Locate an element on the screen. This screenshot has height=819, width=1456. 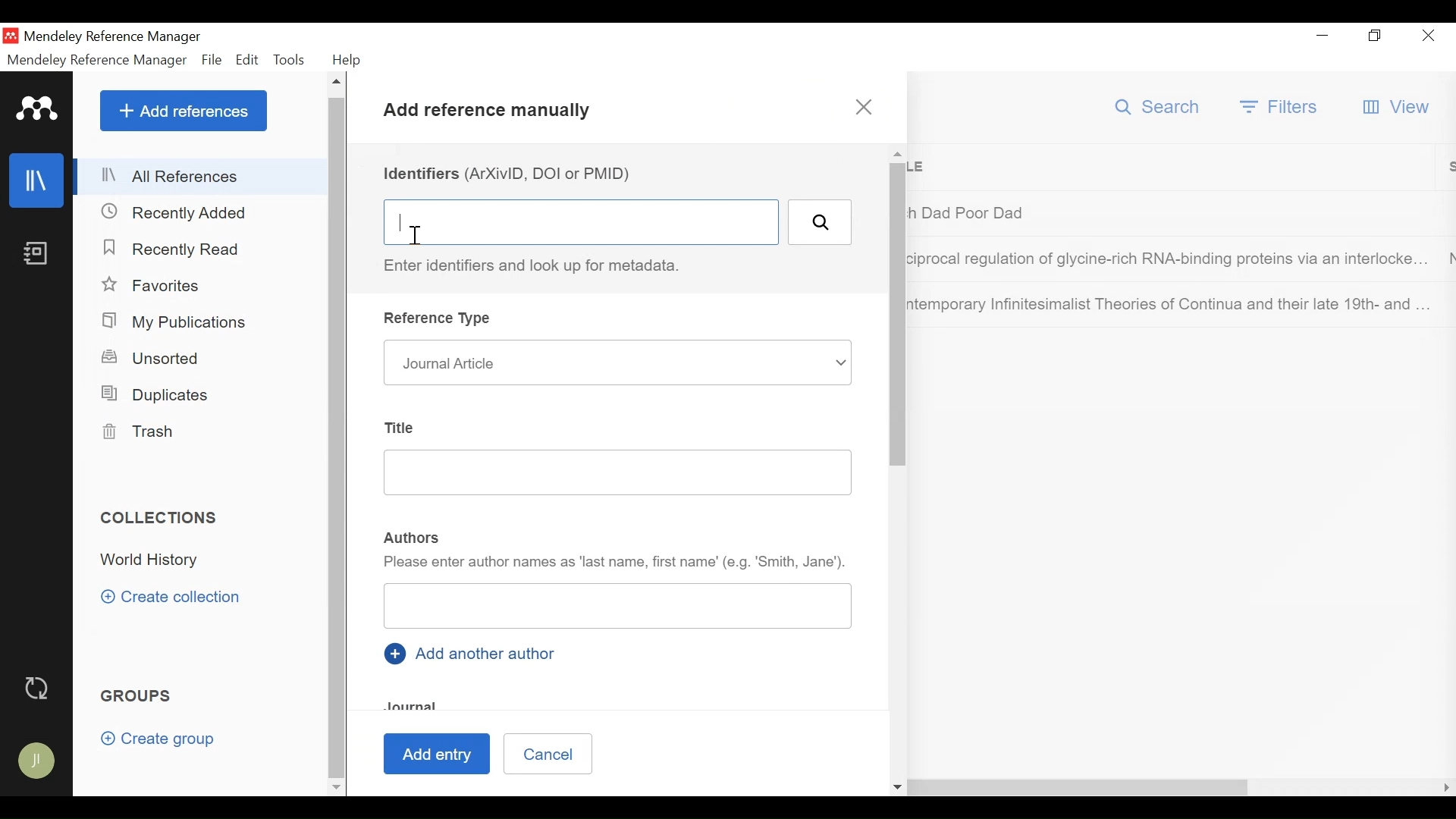
Create Collection is located at coordinates (176, 597).